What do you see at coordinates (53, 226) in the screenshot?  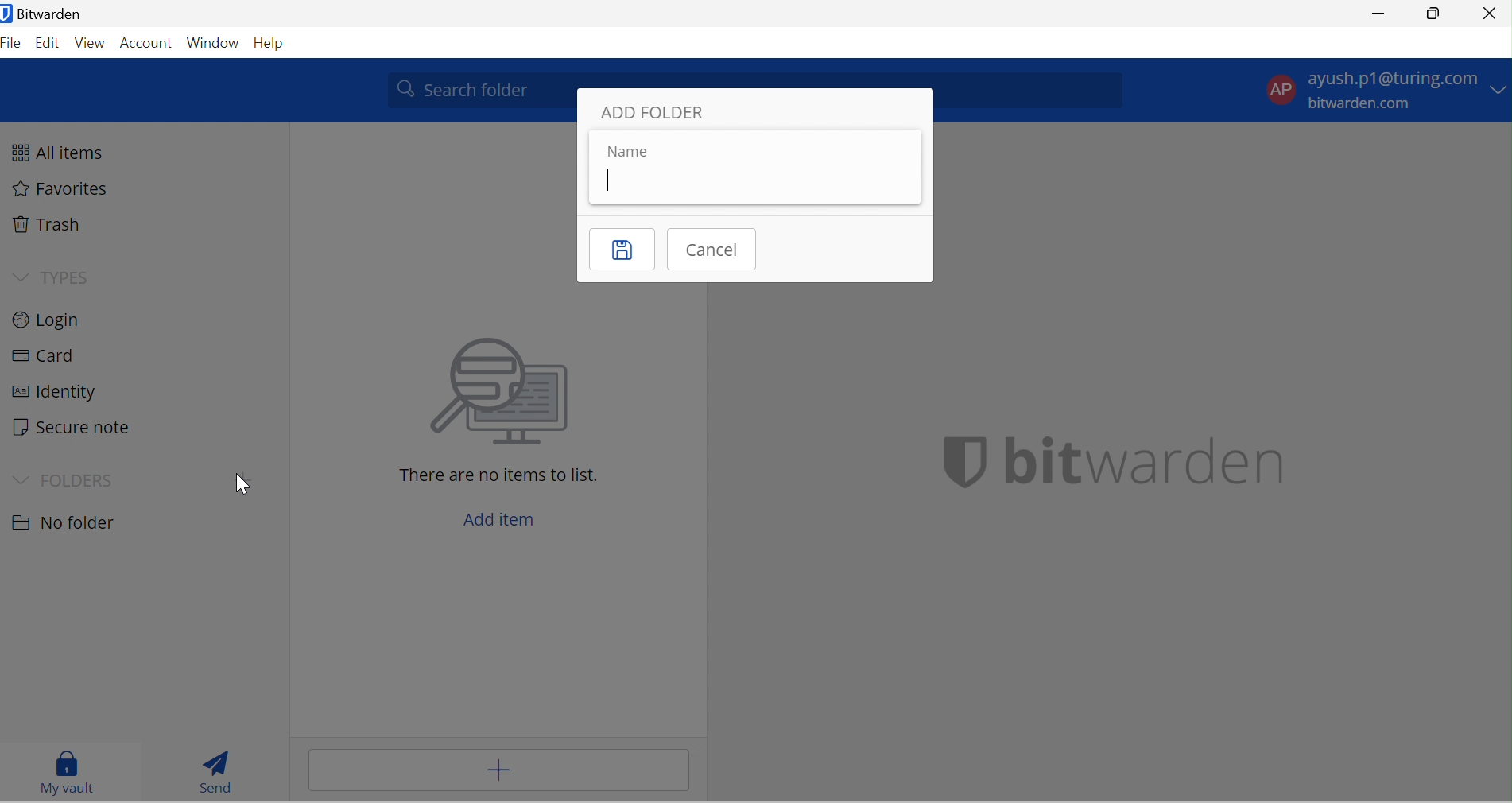 I see `Trash` at bounding box center [53, 226].